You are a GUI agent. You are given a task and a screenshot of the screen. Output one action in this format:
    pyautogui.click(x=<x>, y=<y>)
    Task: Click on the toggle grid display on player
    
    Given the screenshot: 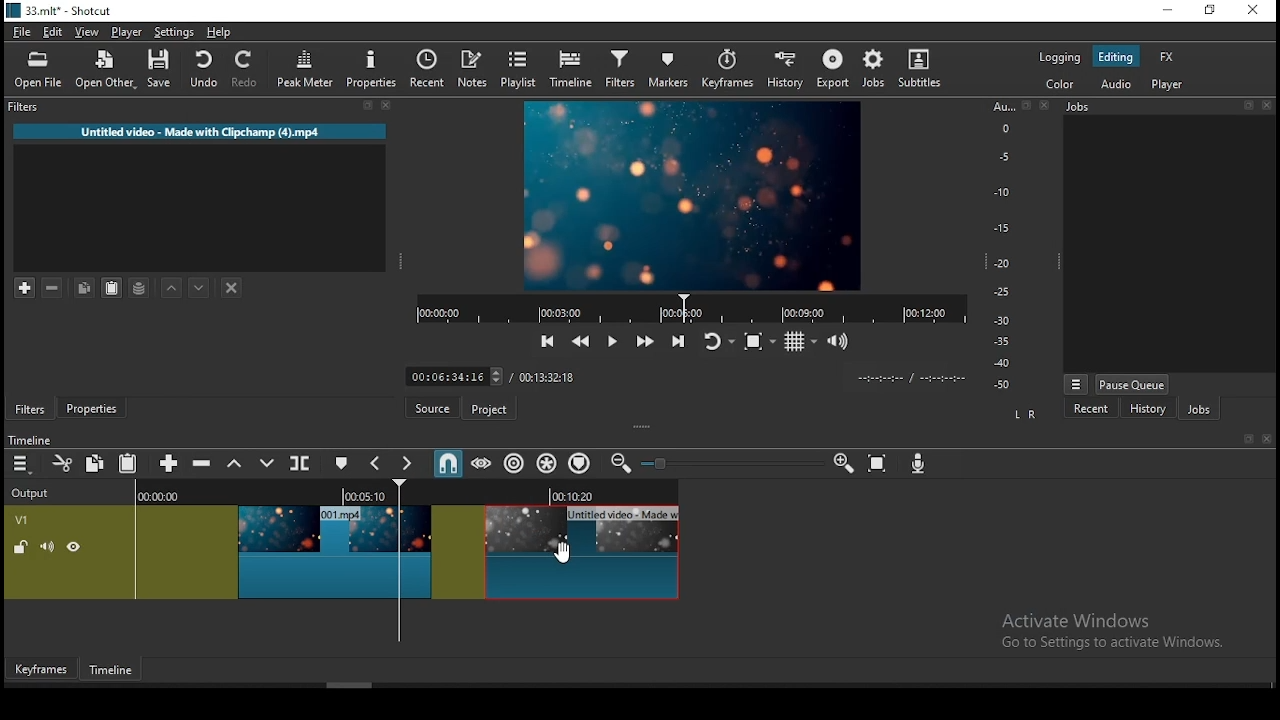 What is the action you would take?
    pyautogui.click(x=803, y=339)
    